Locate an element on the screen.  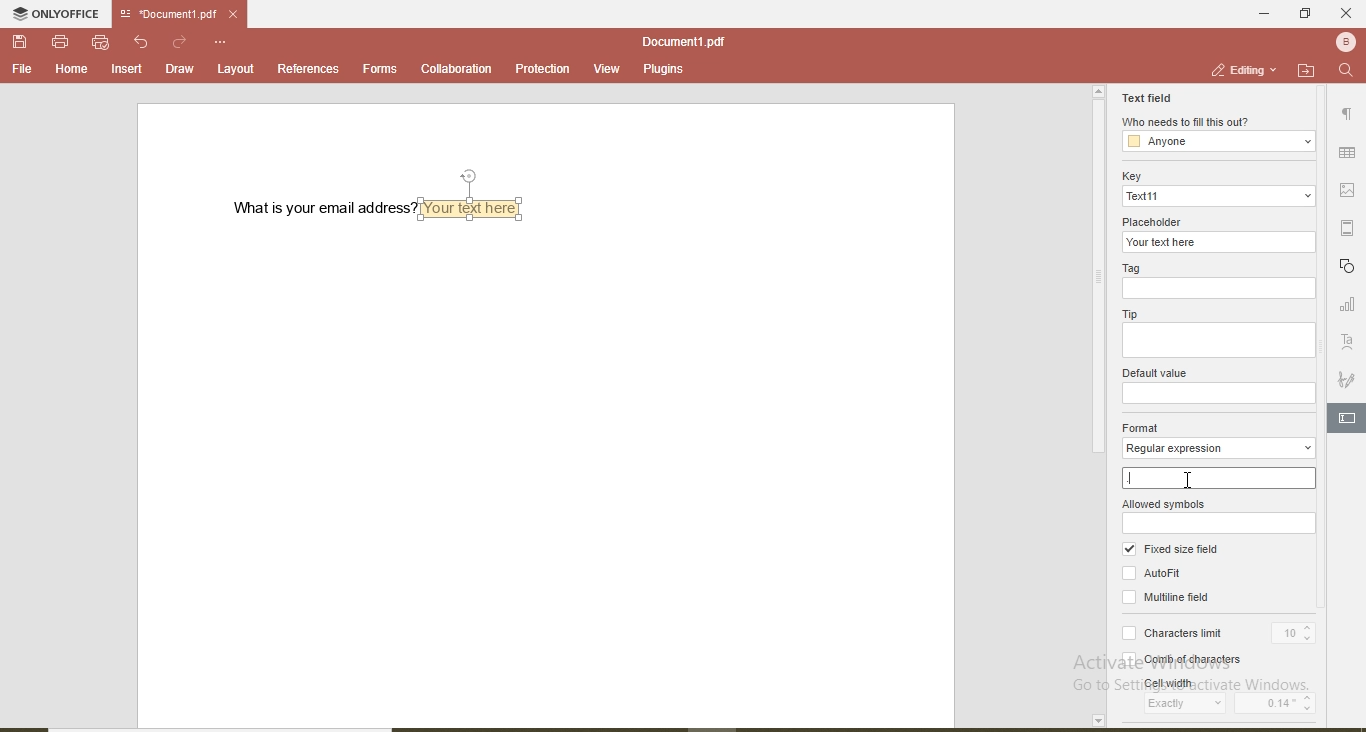
paragraph is located at coordinates (1346, 117).